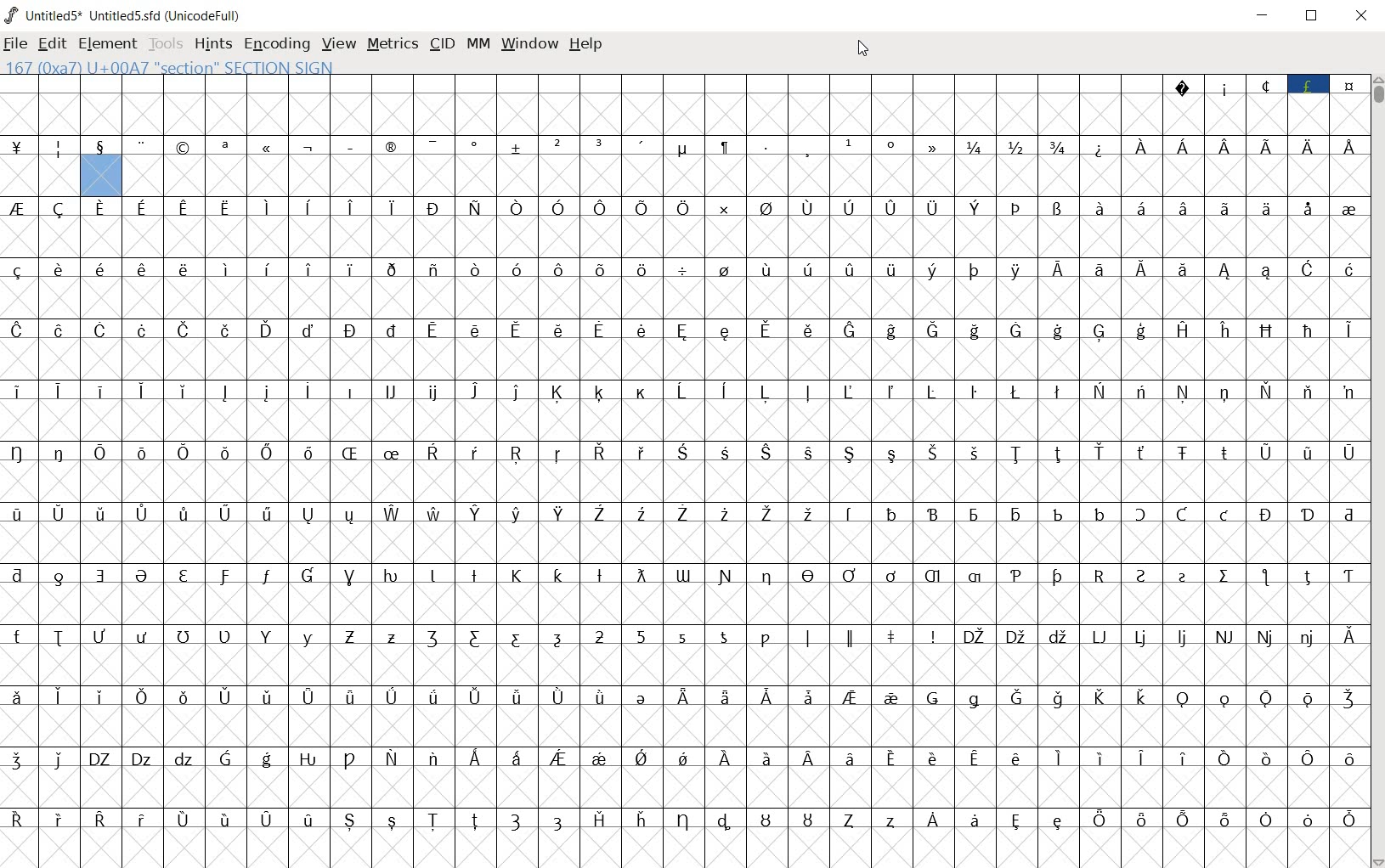 The height and width of the screenshot is (868, 1385). I want to click on empty cells, so click(187, 421).